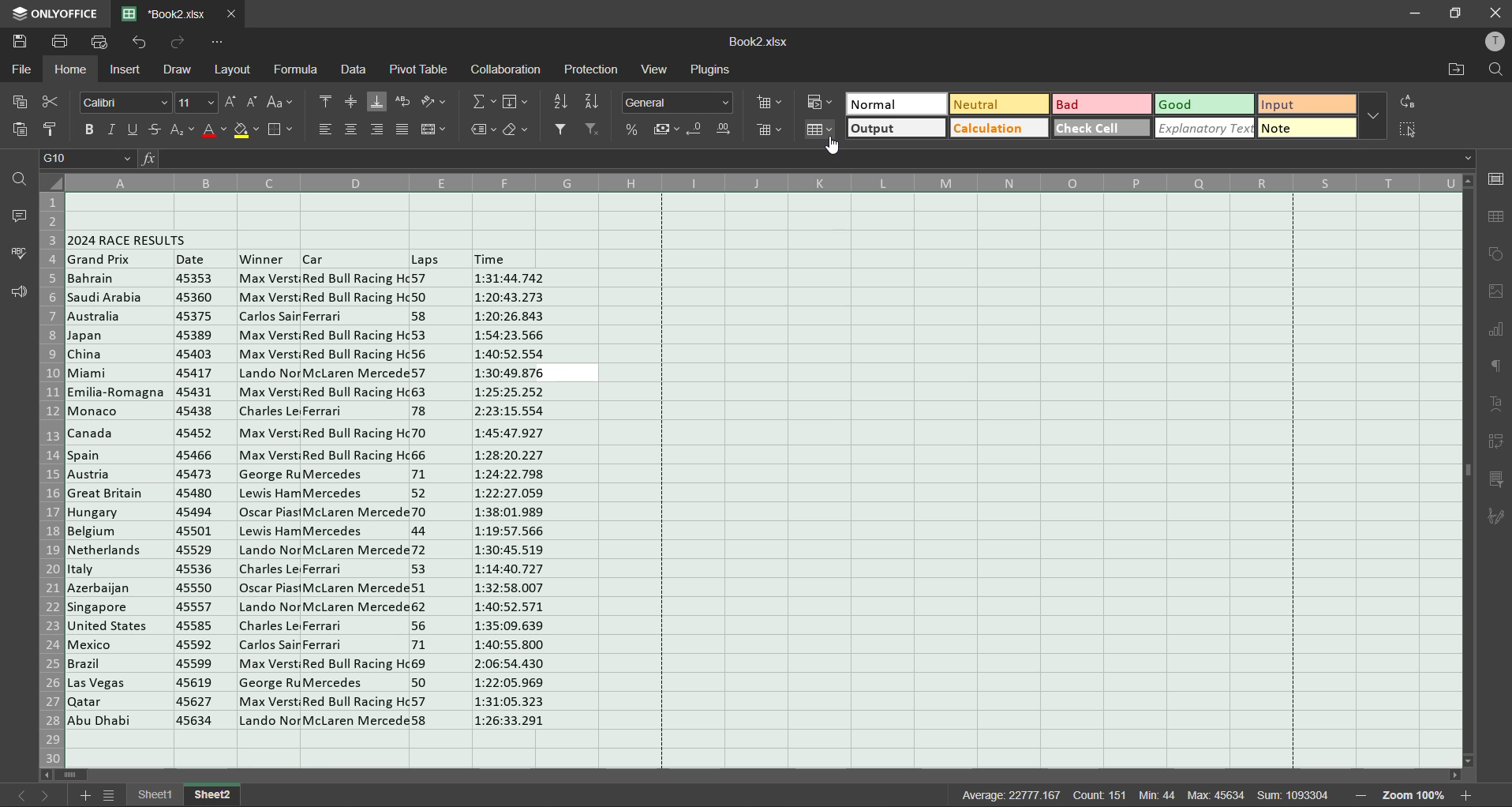 The image size is (1512, 807). What do you see at coordinates (22, 103) in the screenshot?
I see `copy` at bounding box center [22, 103].